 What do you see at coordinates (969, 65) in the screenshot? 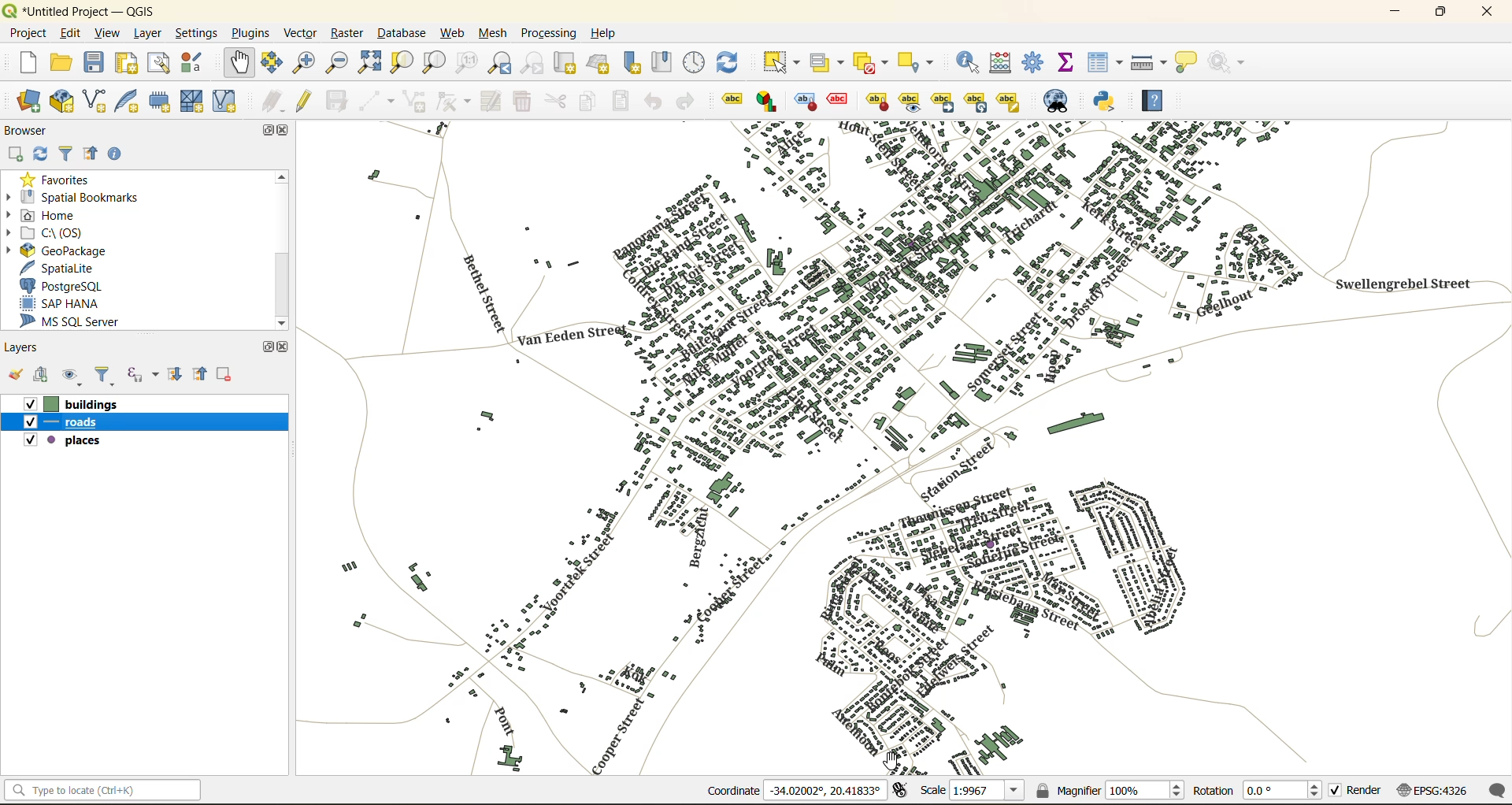
I see `identify features` at bounding box center [969, 65].